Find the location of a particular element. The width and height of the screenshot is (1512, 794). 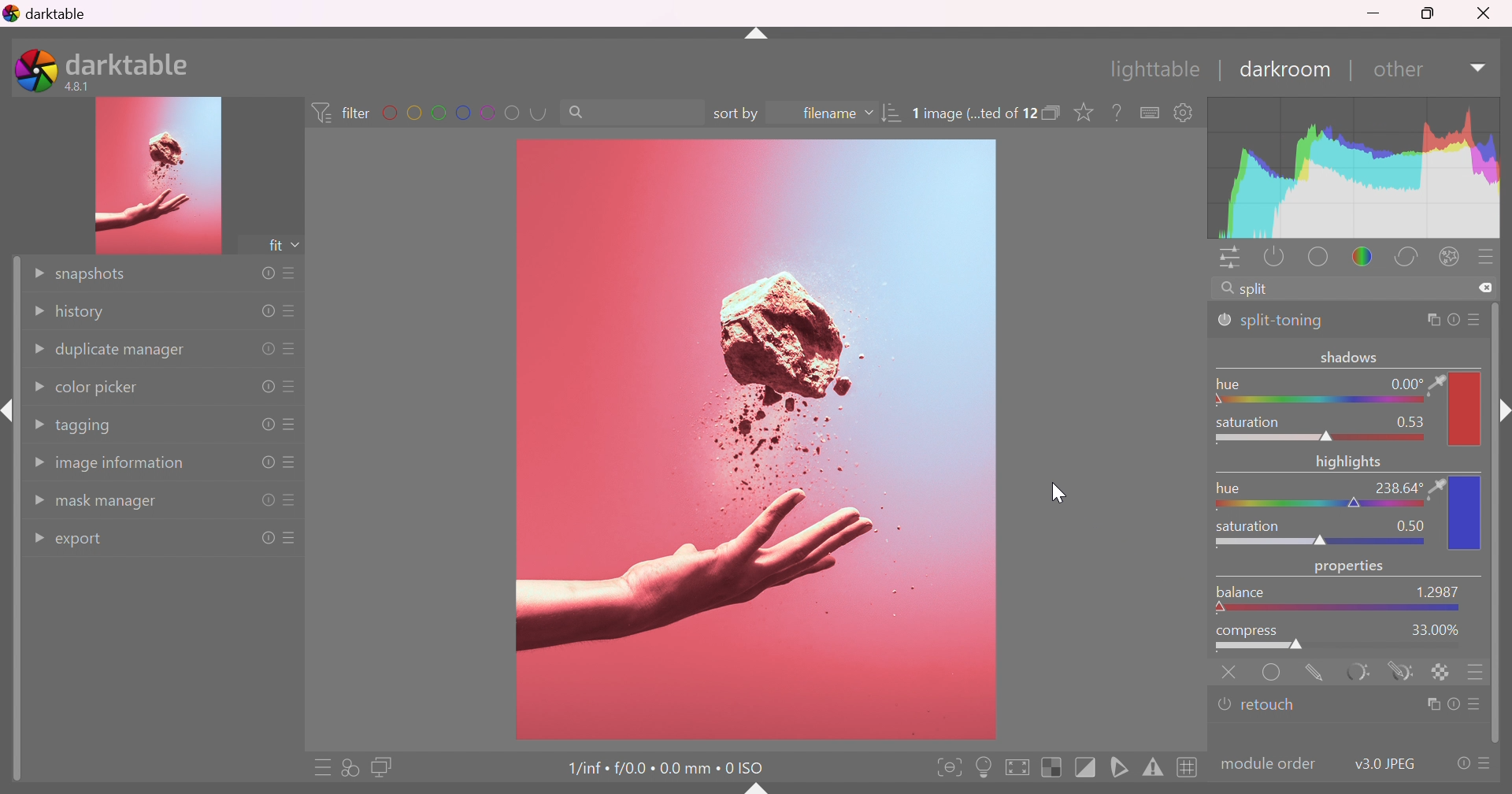

show only active modules is located at coordinates (1277, 256).